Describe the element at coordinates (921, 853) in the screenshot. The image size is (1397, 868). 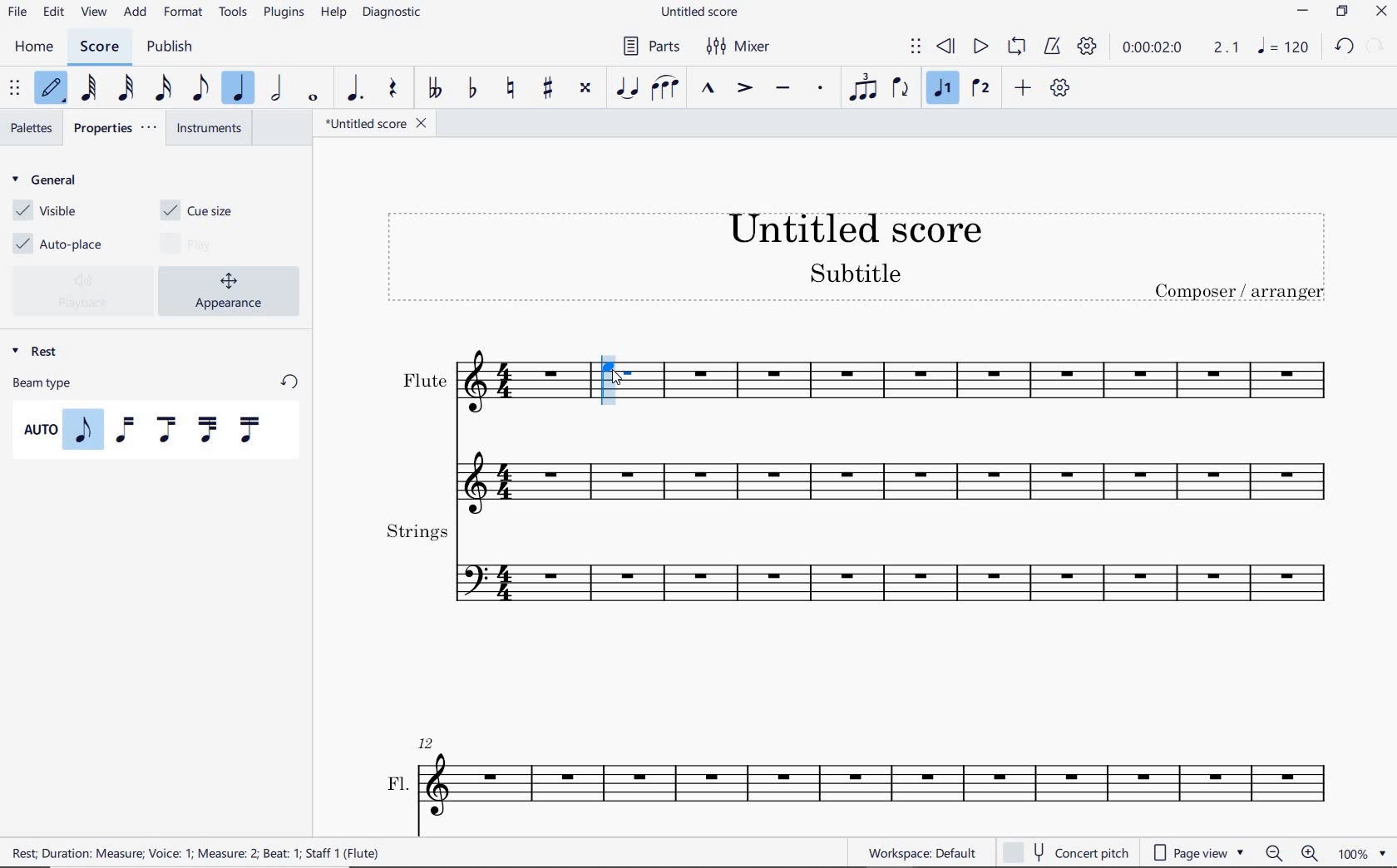
I see `workspace default` at that location.